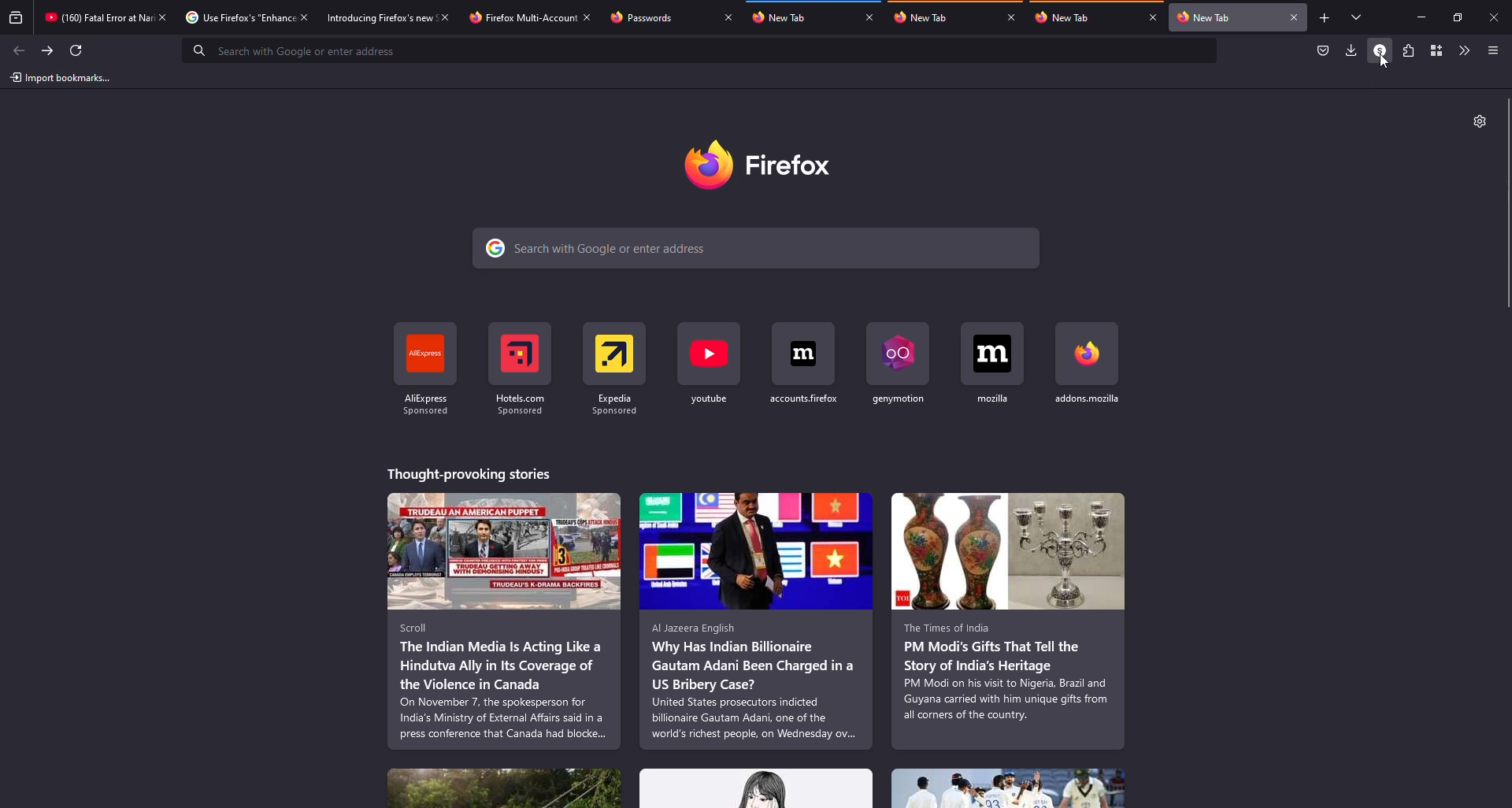 The width and height of the screenshot is (1512, 808). What do you see at coordinates (728, 17) in the screenshot?
I see `close` at bounding box center [728, 17].